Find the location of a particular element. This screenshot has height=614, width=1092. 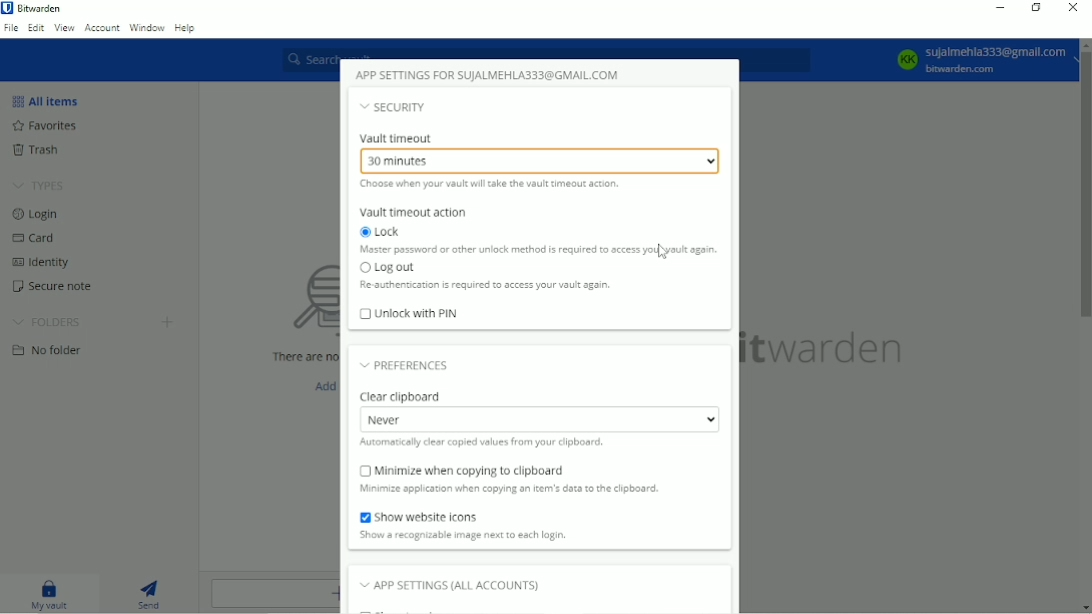

computer icon is located at coordinates (293, 301).